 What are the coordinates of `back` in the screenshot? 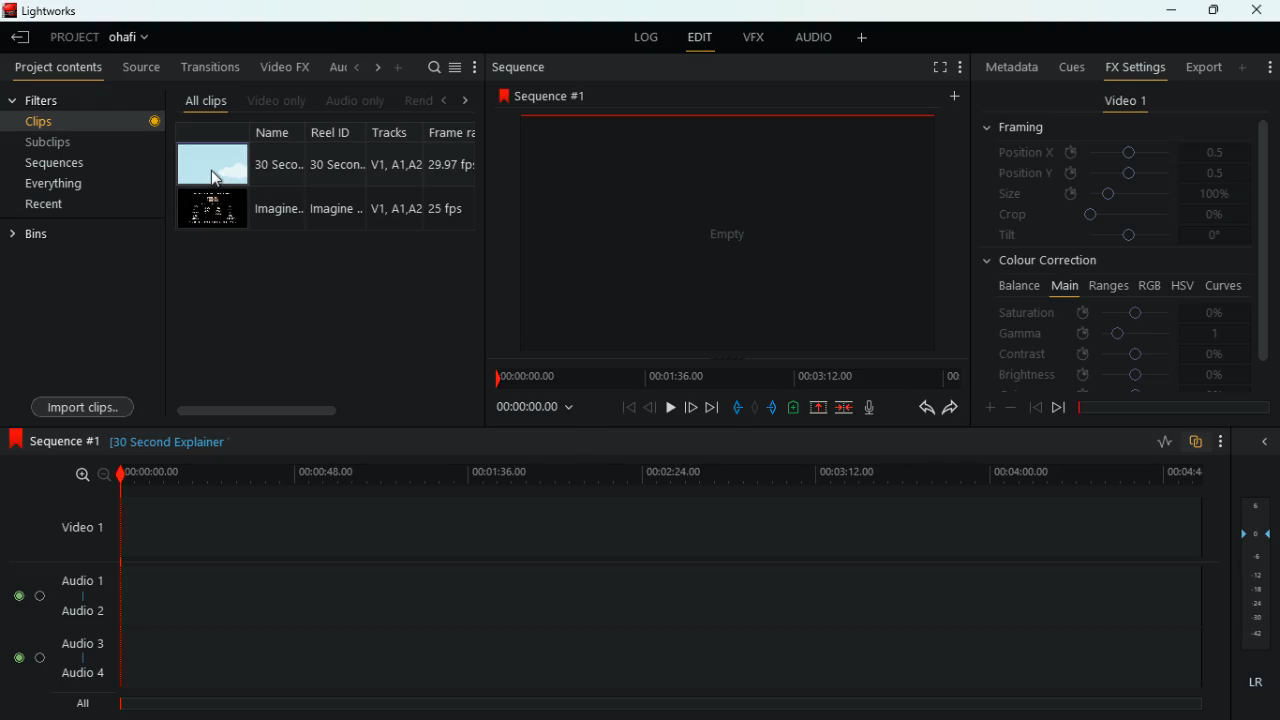 It's located at (650, 407).